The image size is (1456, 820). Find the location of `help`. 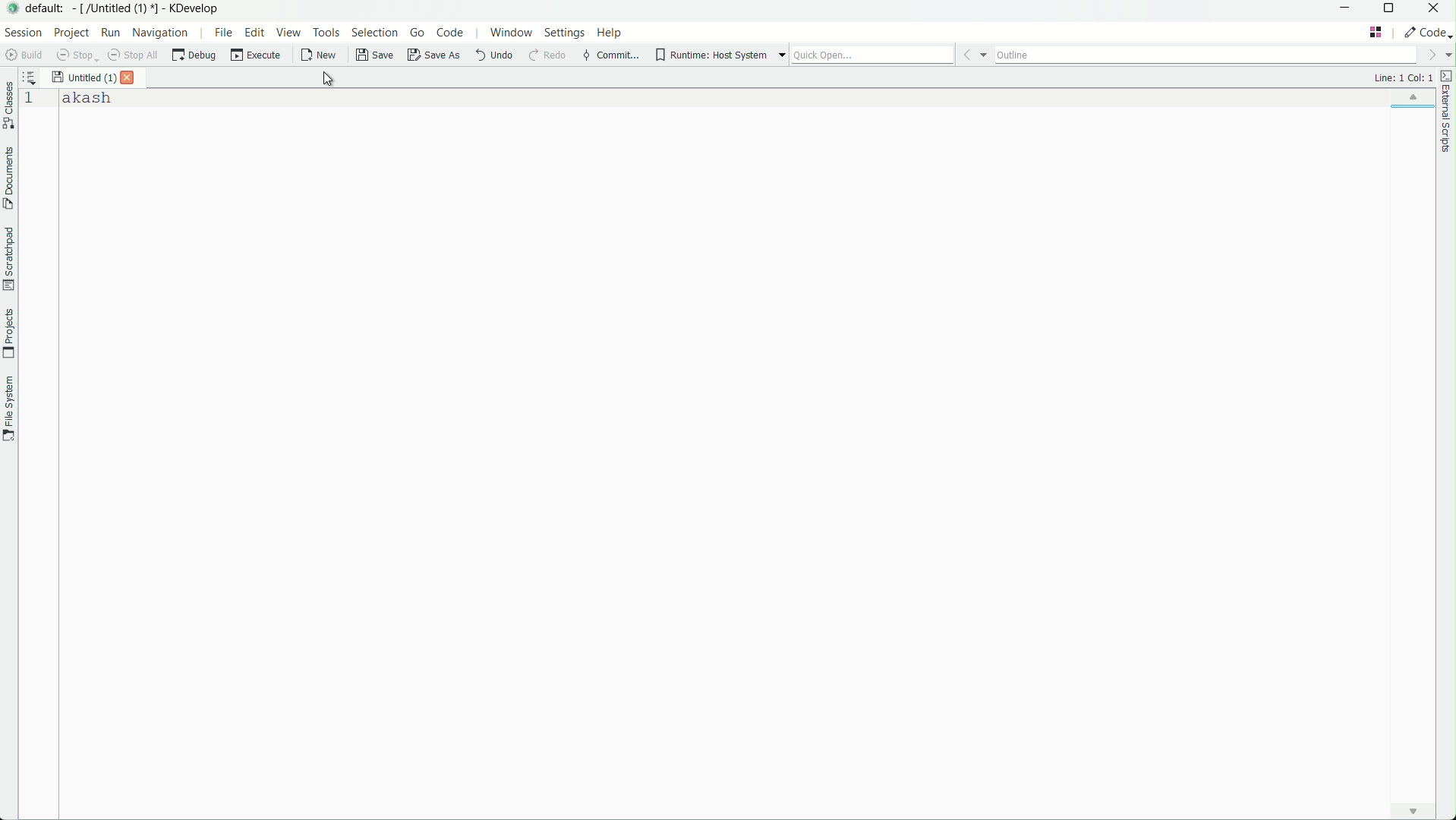

help is located at coordinates (608, 33).